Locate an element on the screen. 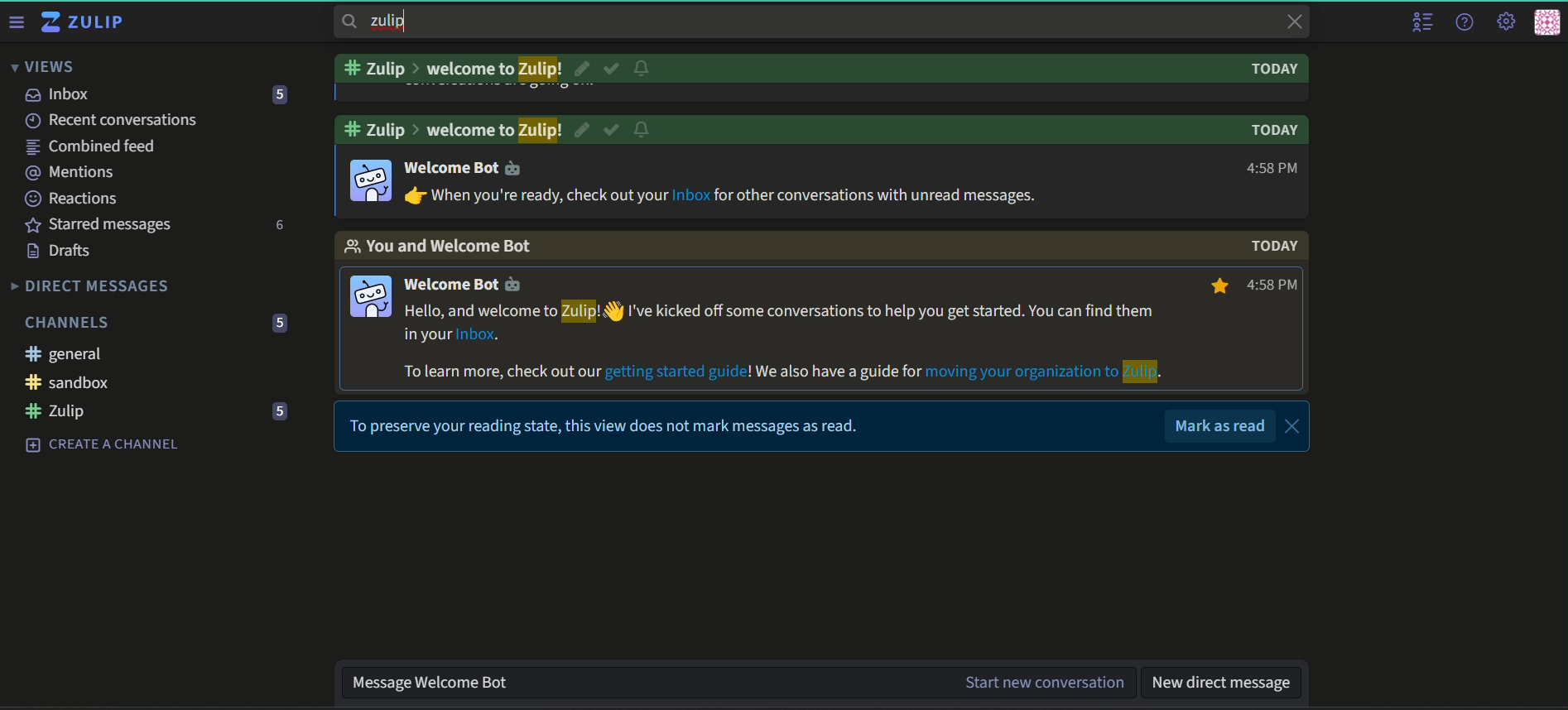  Menu is located at coordinates (16, 22).